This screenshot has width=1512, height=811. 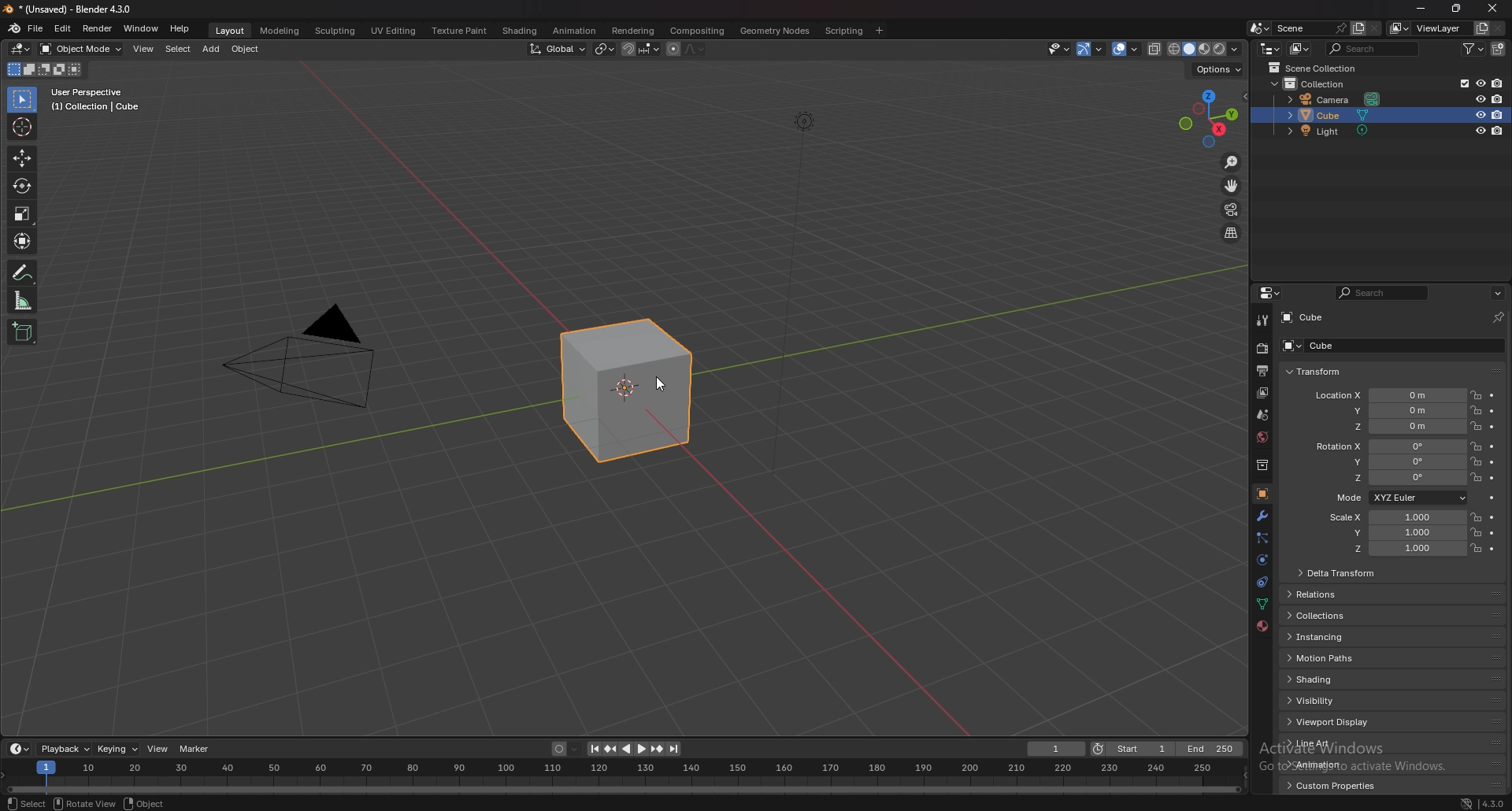 What do you see at coordinates (1388, 462) in the screenshot?
I see `rotation y` at bounding box center [1388, 462].